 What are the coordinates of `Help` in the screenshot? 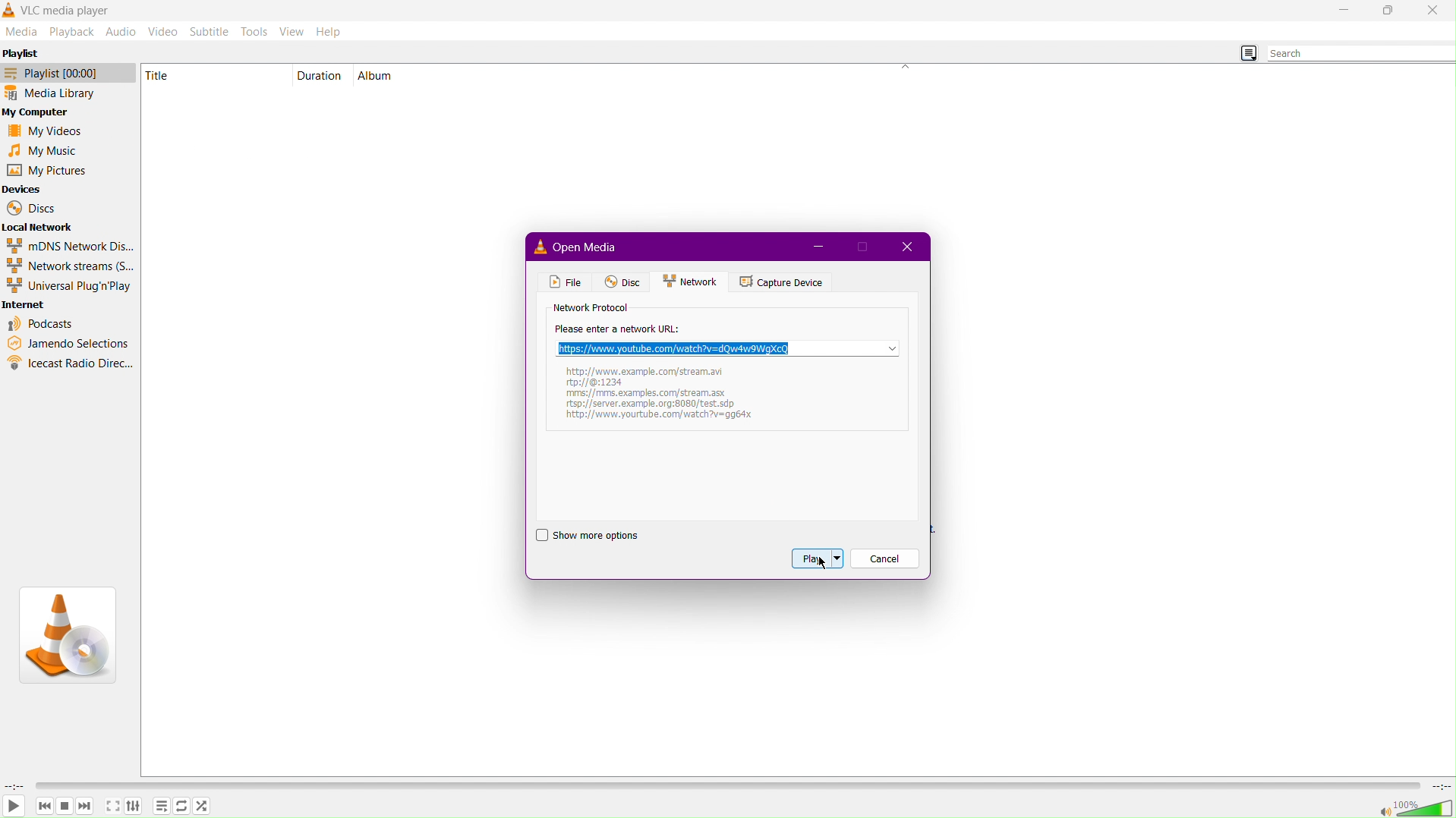 It's located at (328, 32).